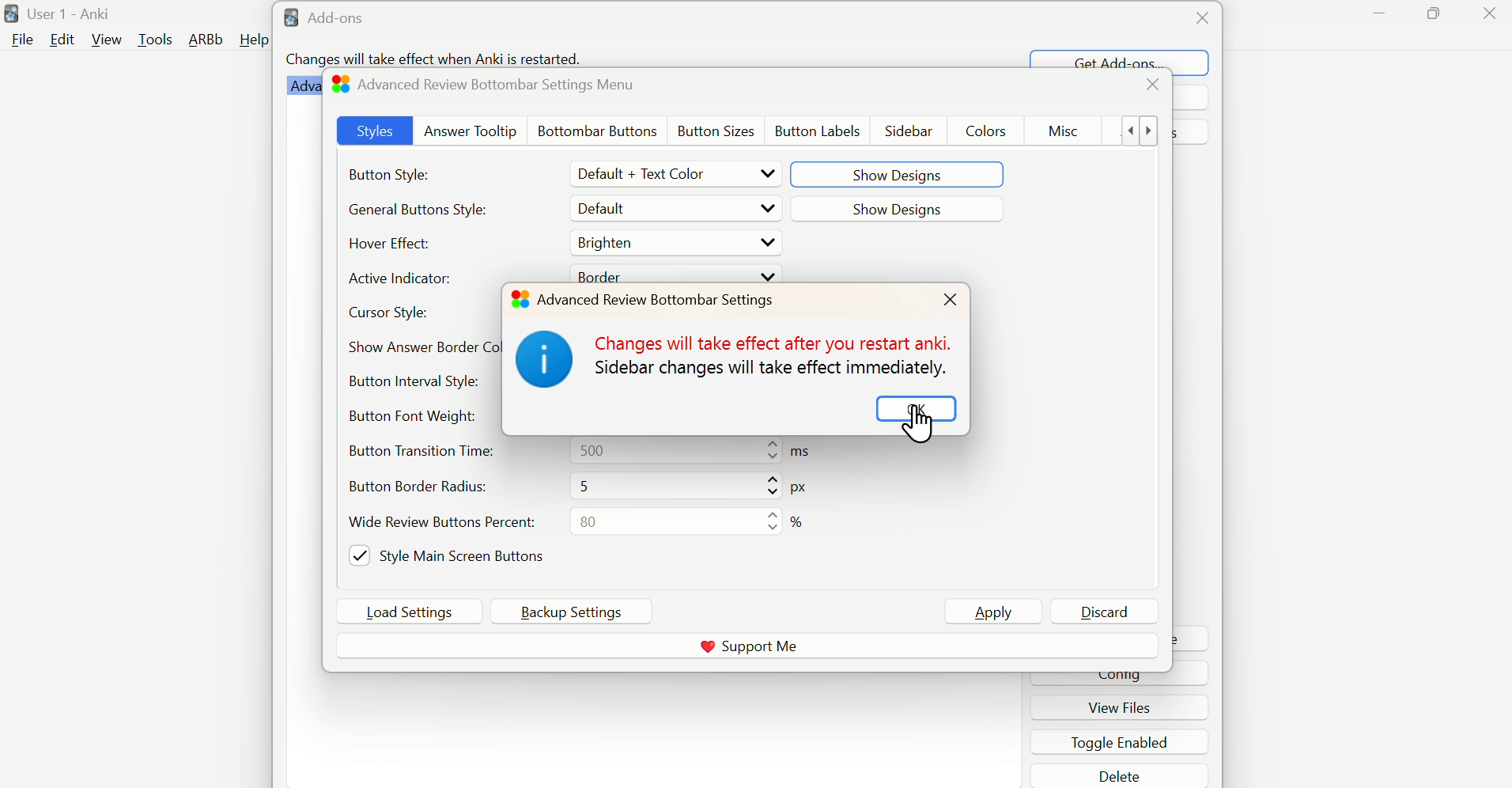 This screenshot has width=1512, height=788. I want to click on Edit, so click(61, 40).